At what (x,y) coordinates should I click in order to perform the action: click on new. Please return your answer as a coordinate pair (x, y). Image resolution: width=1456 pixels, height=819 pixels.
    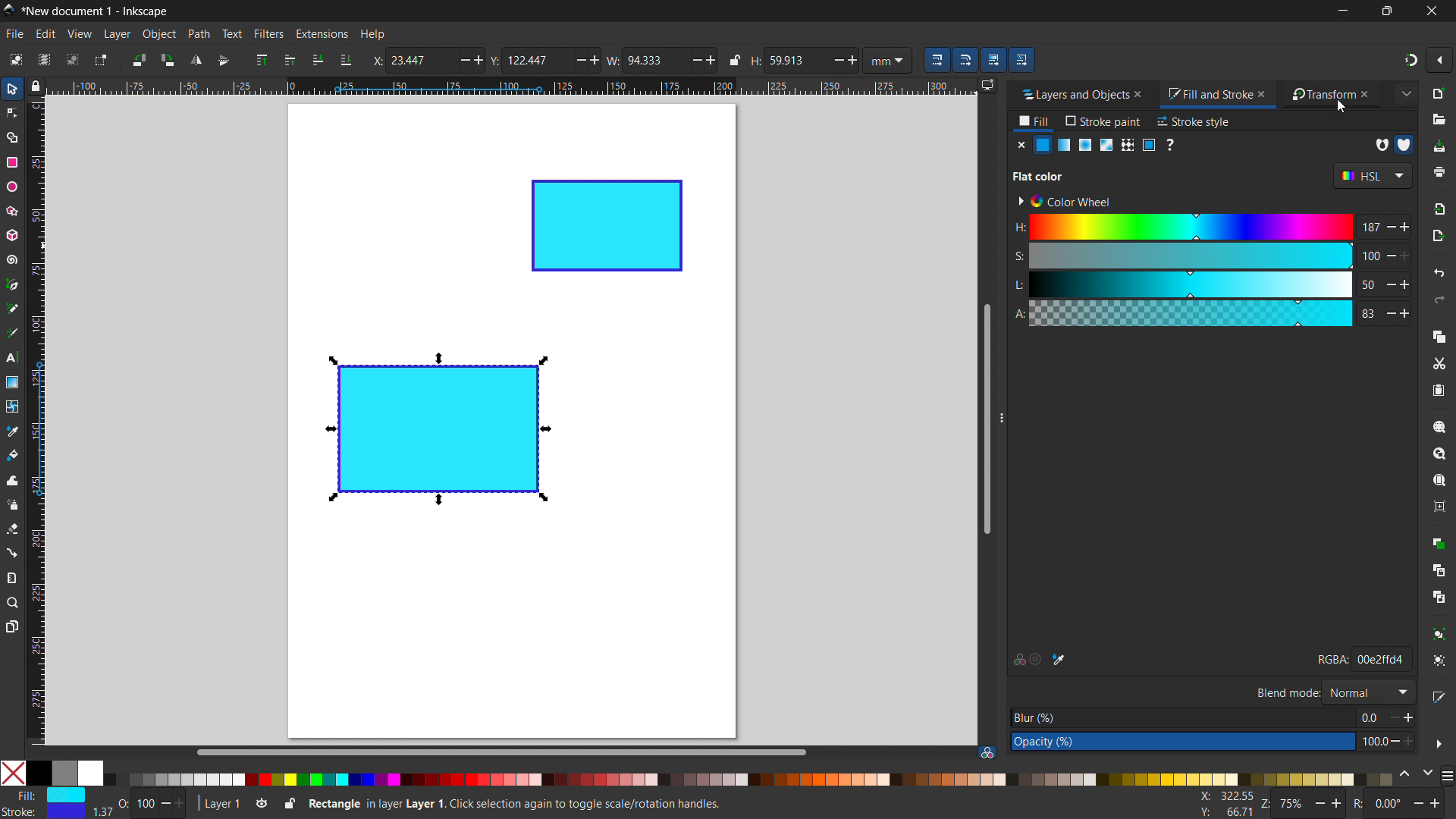
    Looking at the image, I should click on (1440, 93).